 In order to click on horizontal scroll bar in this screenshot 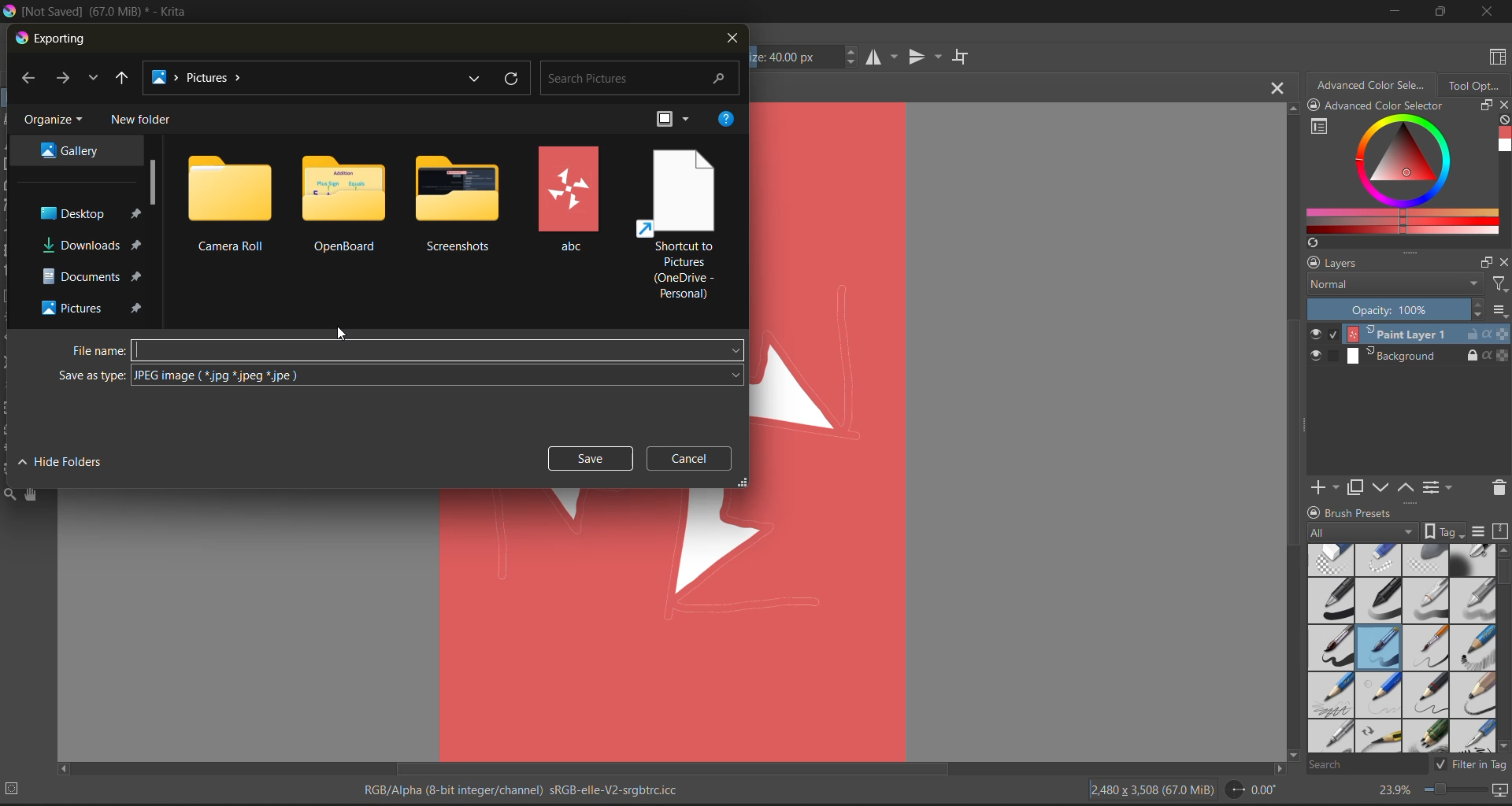, I will do `click(675, 768)`.